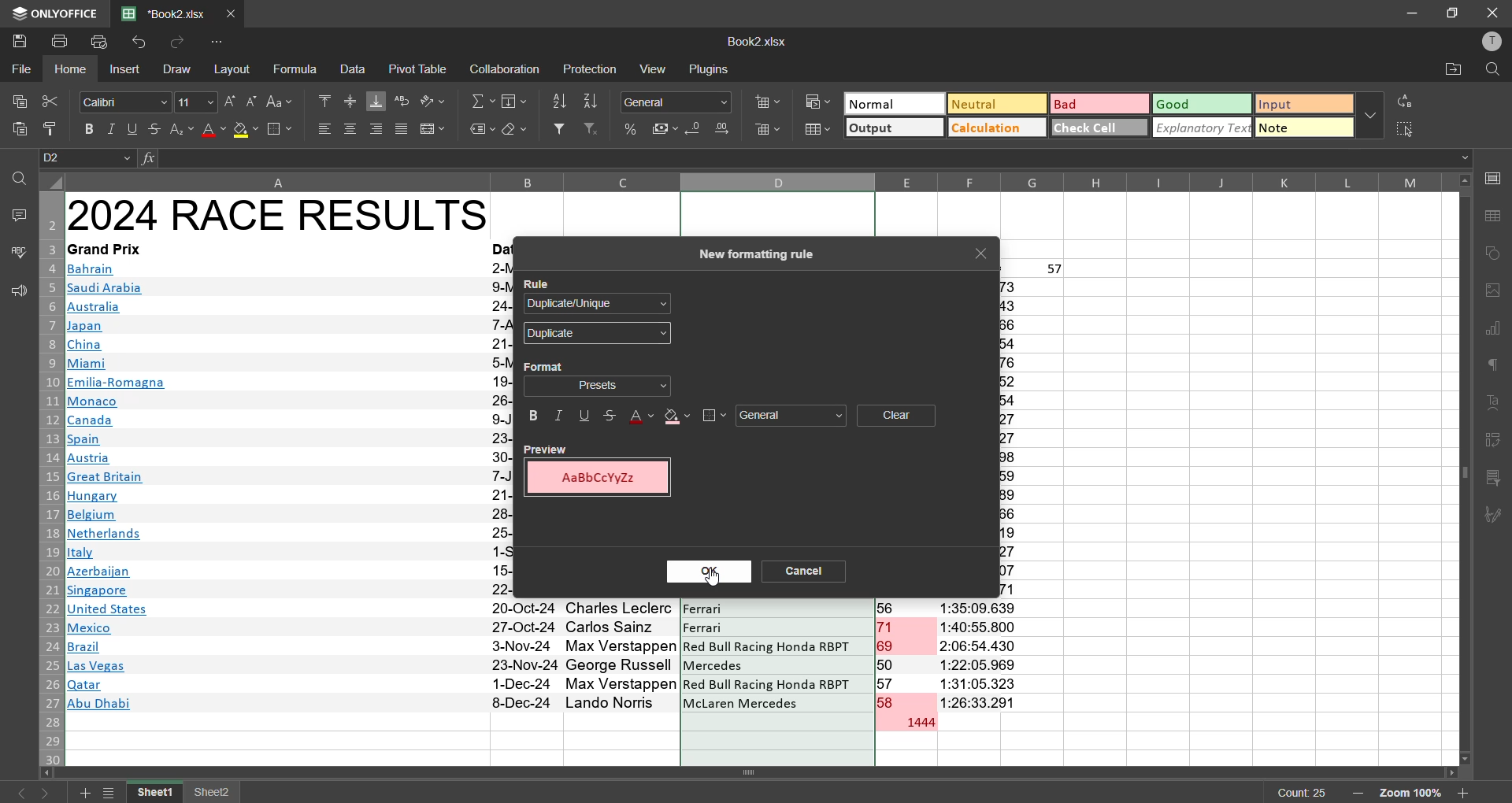 The image size is (1512, 803). Describe the element at coordinates (596, 335) in the screenshot. I see `duplicate` at that location.